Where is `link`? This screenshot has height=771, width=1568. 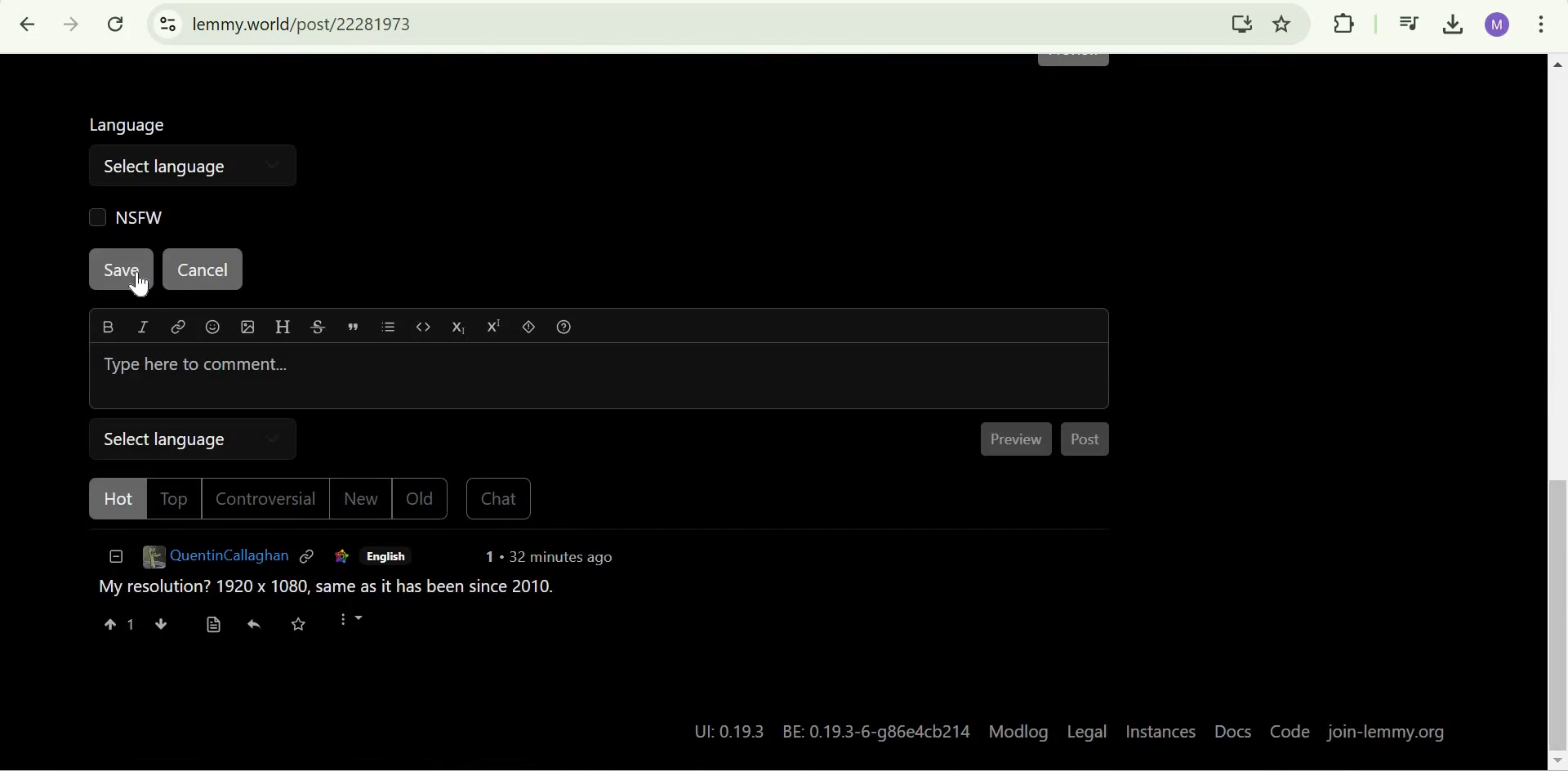
link is located at coordinates (176, 330).